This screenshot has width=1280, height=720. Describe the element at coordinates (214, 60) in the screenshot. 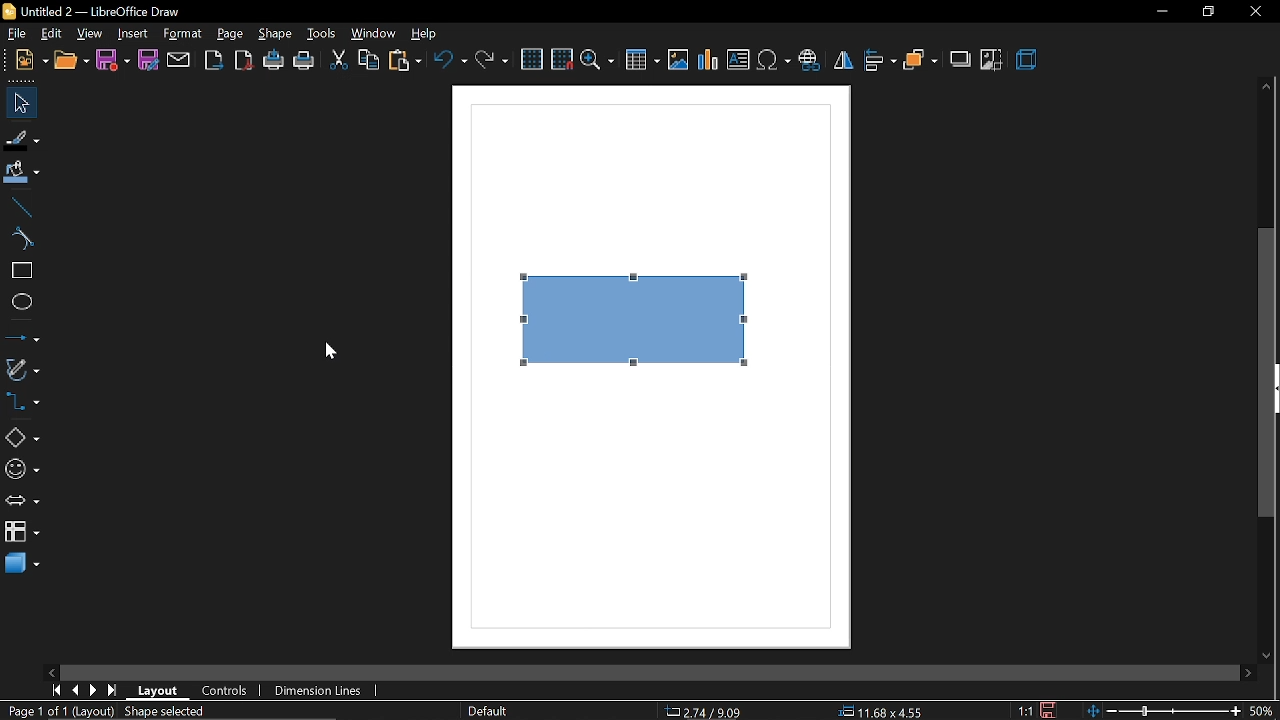

I see `export` at that location.